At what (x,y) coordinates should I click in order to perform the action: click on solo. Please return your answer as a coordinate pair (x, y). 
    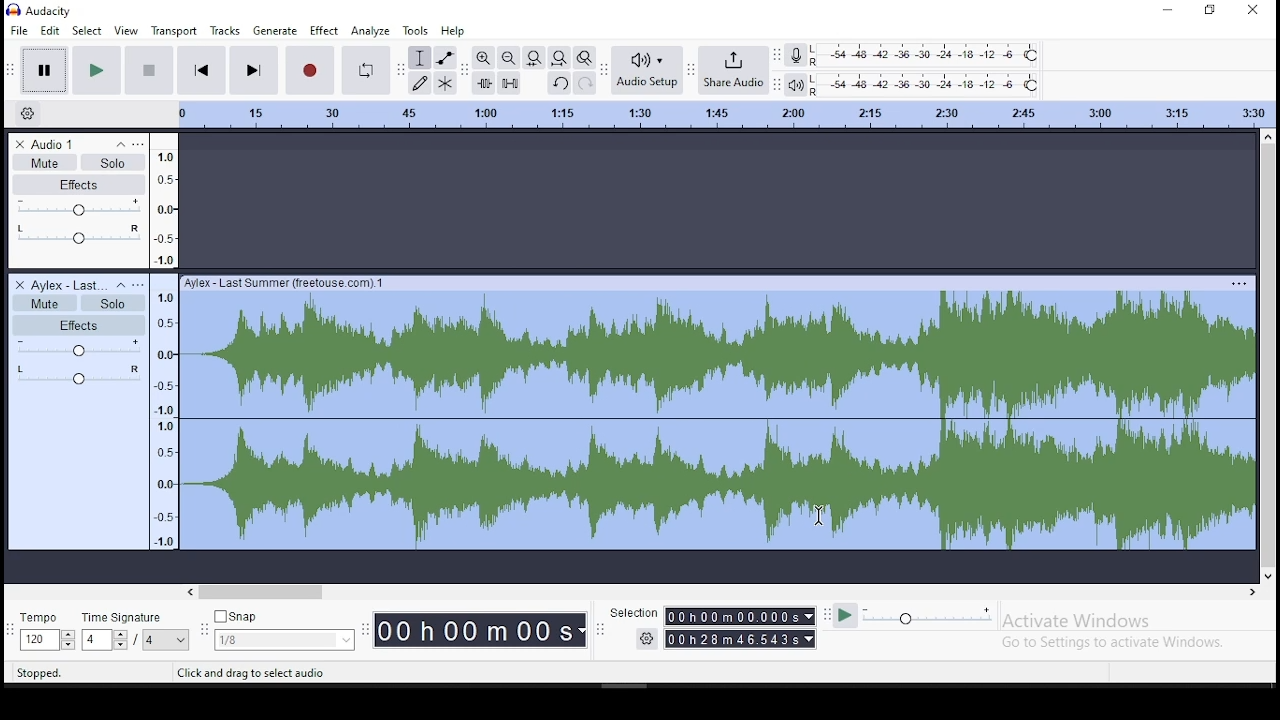
    Looking at the image, I should click on (114, 302).